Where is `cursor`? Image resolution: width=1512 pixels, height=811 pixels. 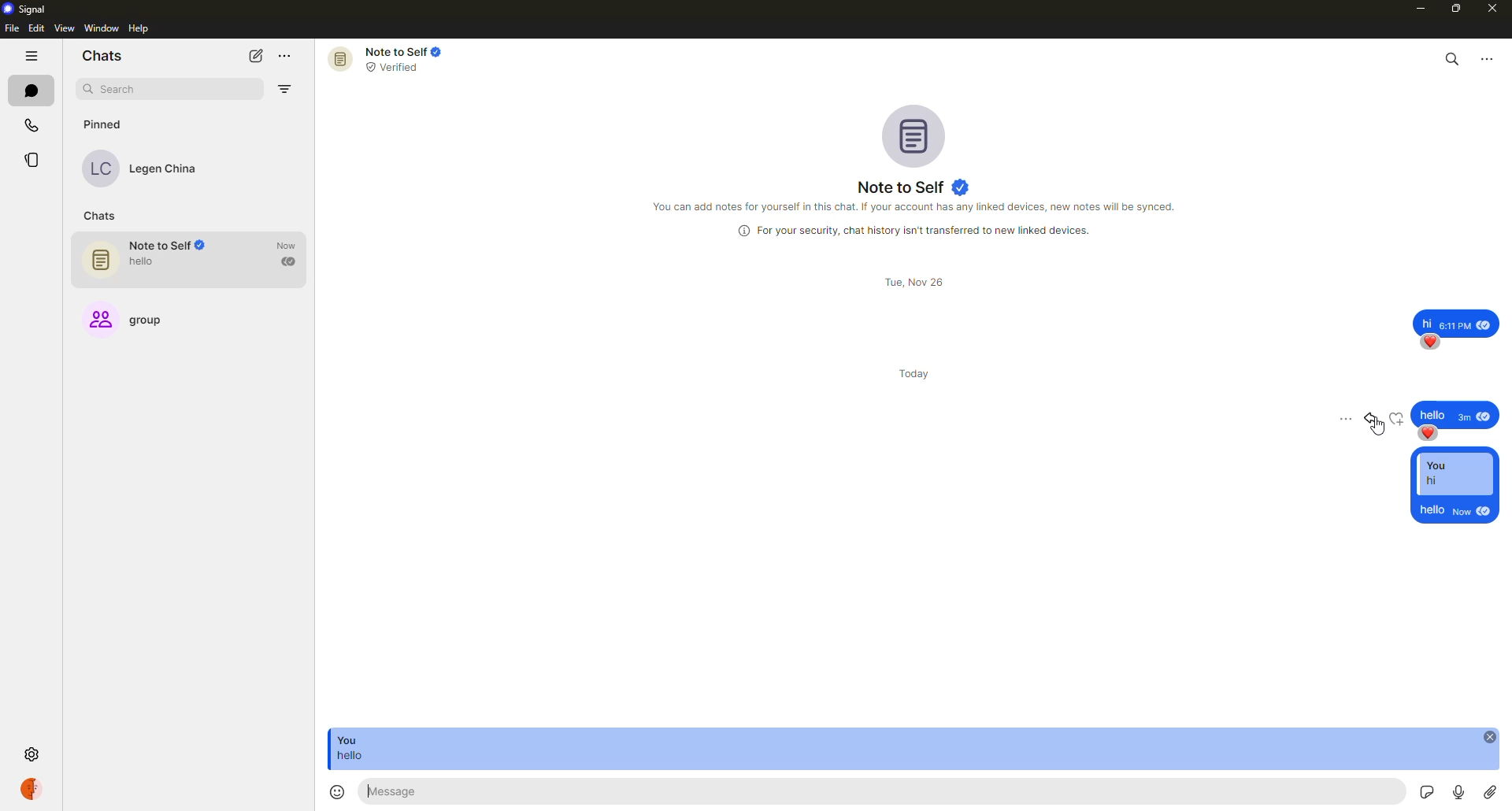 cursor is located at coordinates (1378, 435).